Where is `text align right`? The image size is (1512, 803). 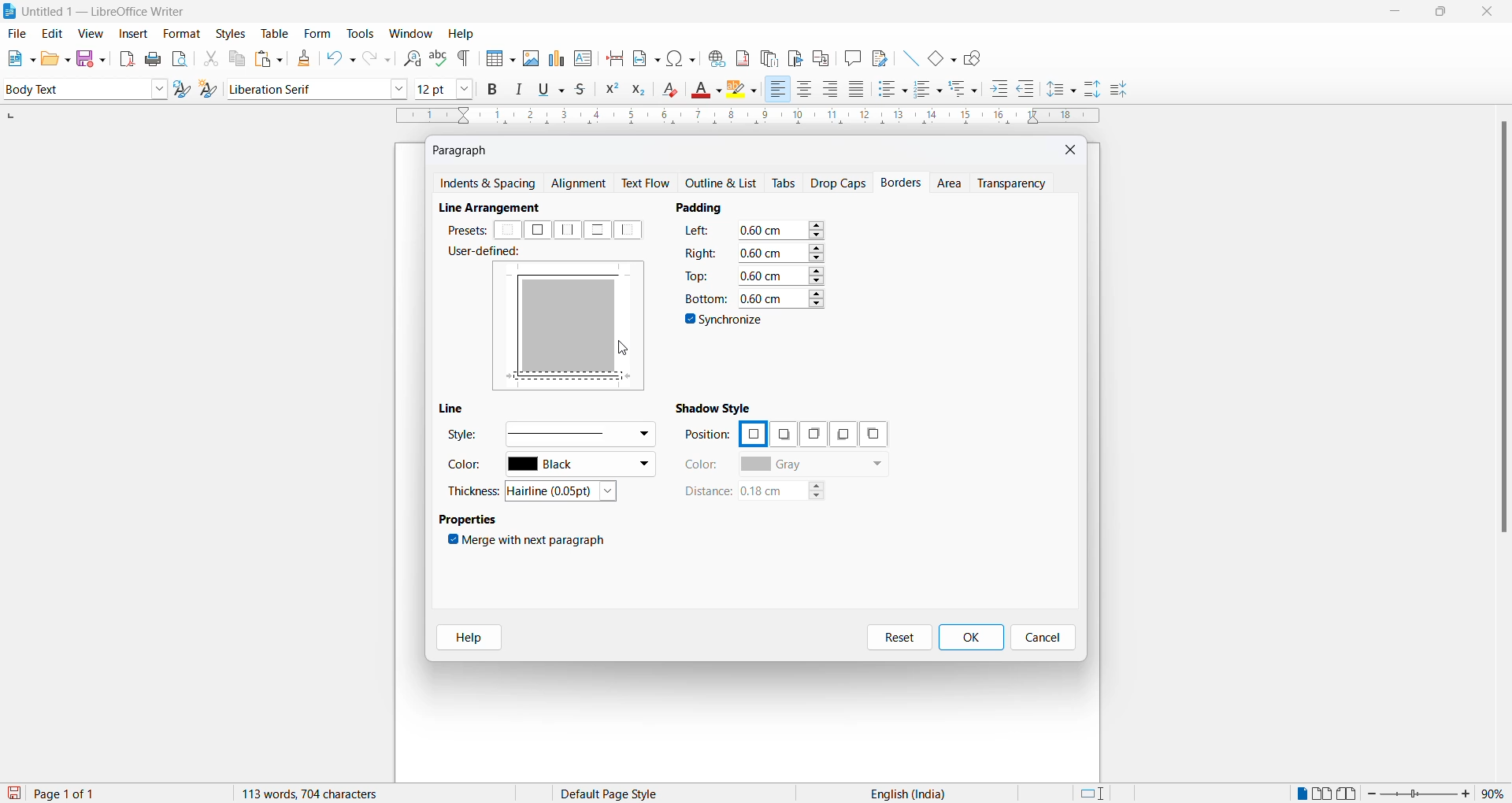 text align right is located at coordinates (777, 90).